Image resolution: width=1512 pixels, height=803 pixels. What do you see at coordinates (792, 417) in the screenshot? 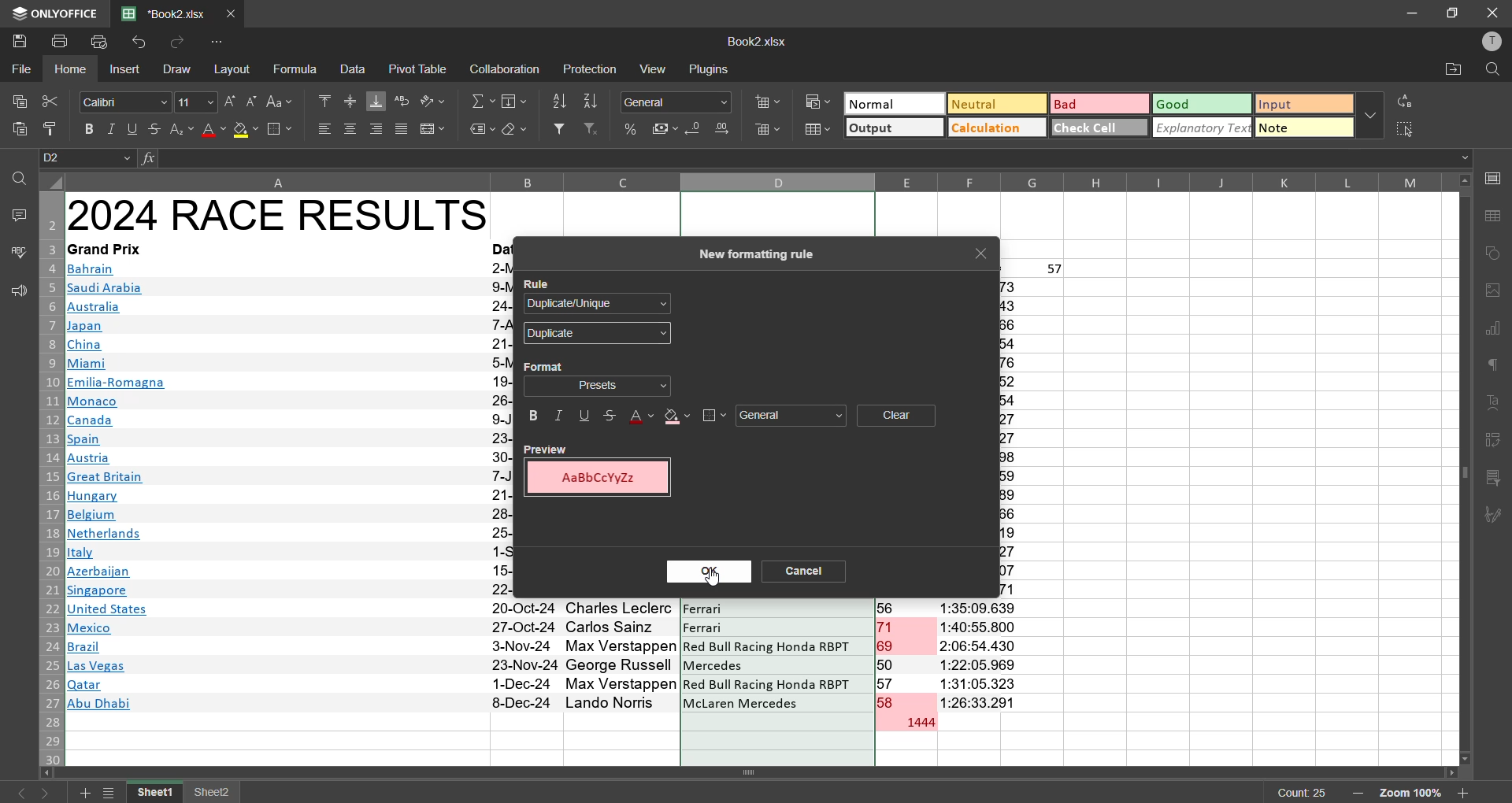
I see `general` at bounding box center [792, 417].